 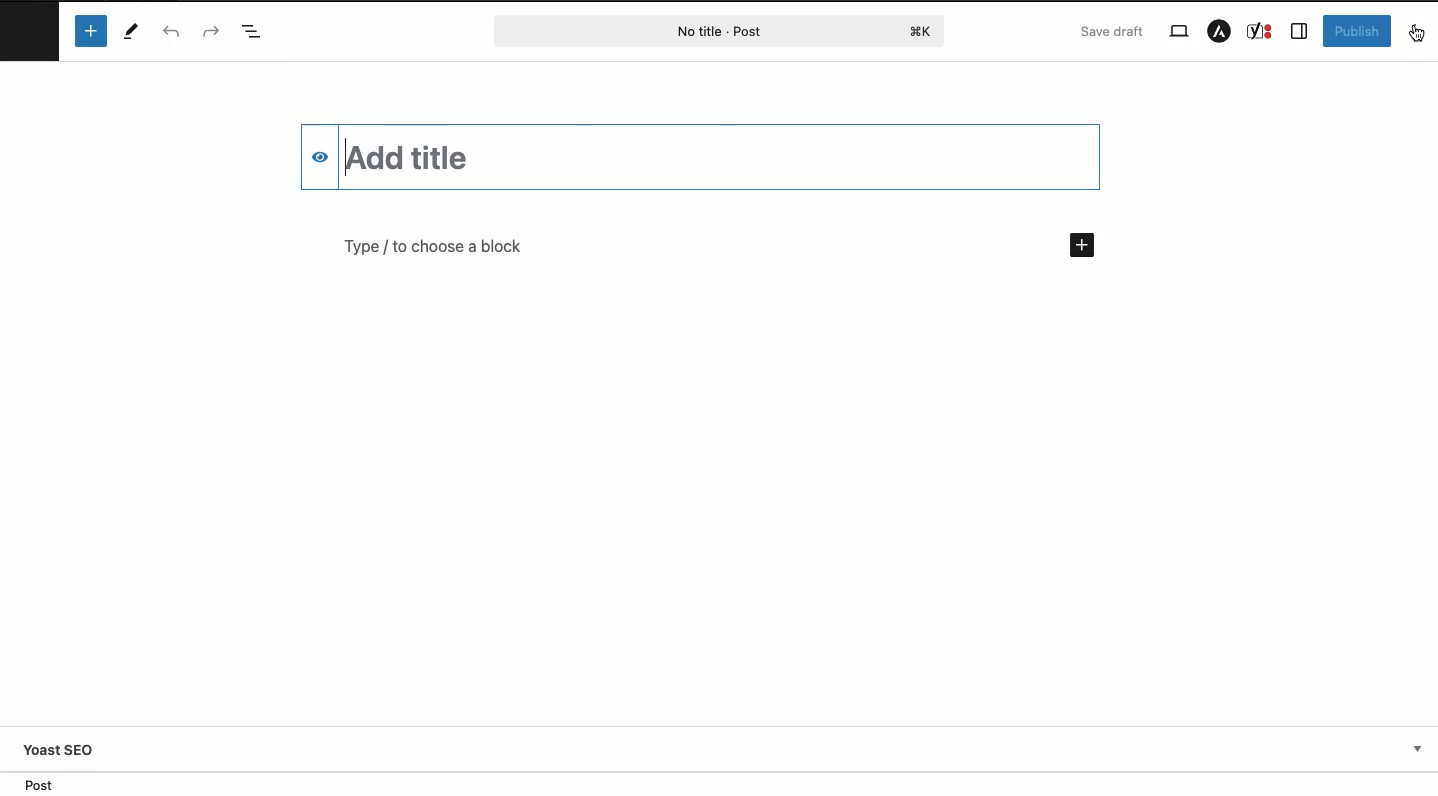 What do you see at coordinates (1219, 33) in the screenshot?
I see `Astra` at bounding box center [1219, 33].